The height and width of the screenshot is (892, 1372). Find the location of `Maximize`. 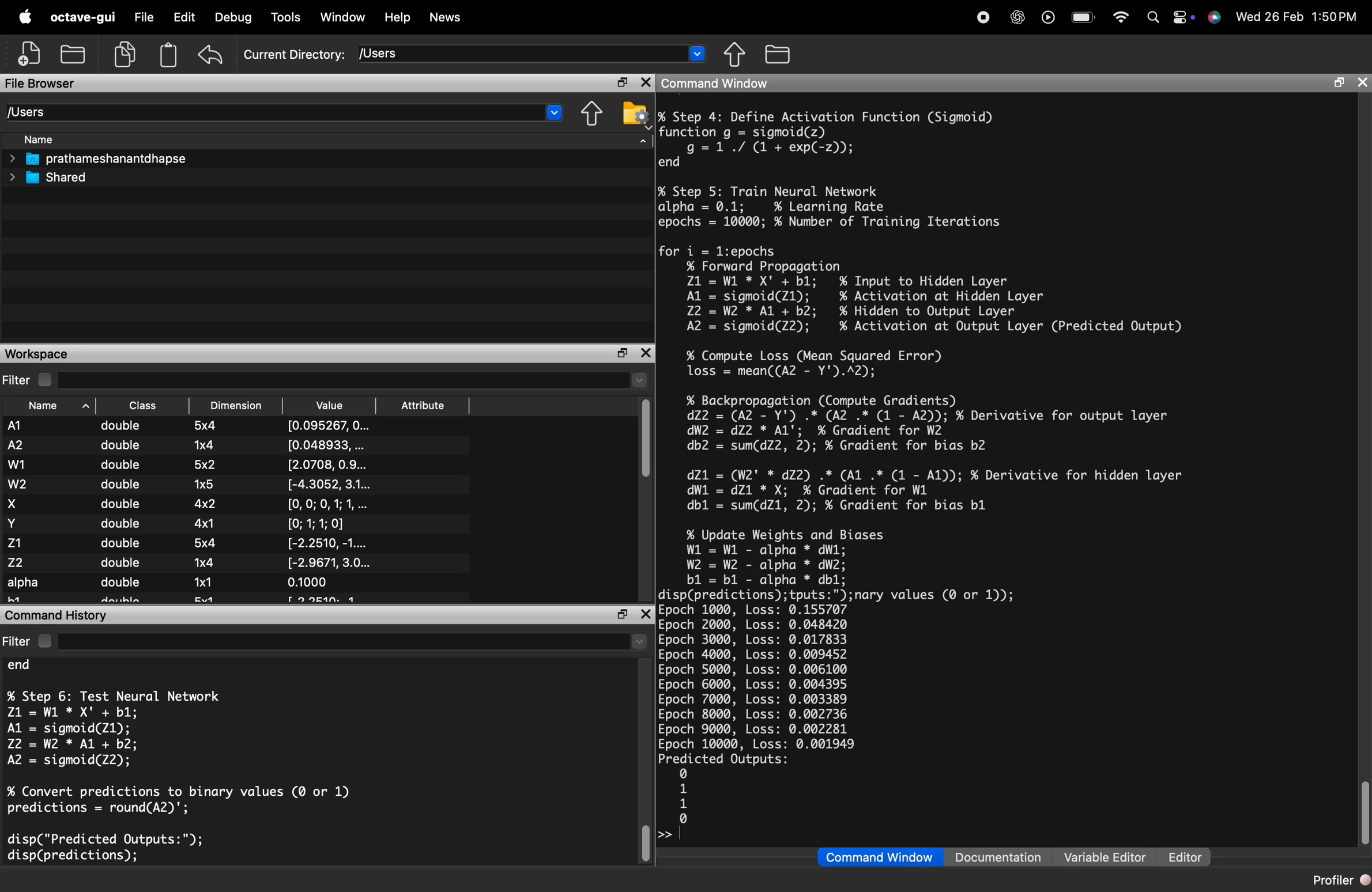

Maximize is located at coordinates (1336, 84).